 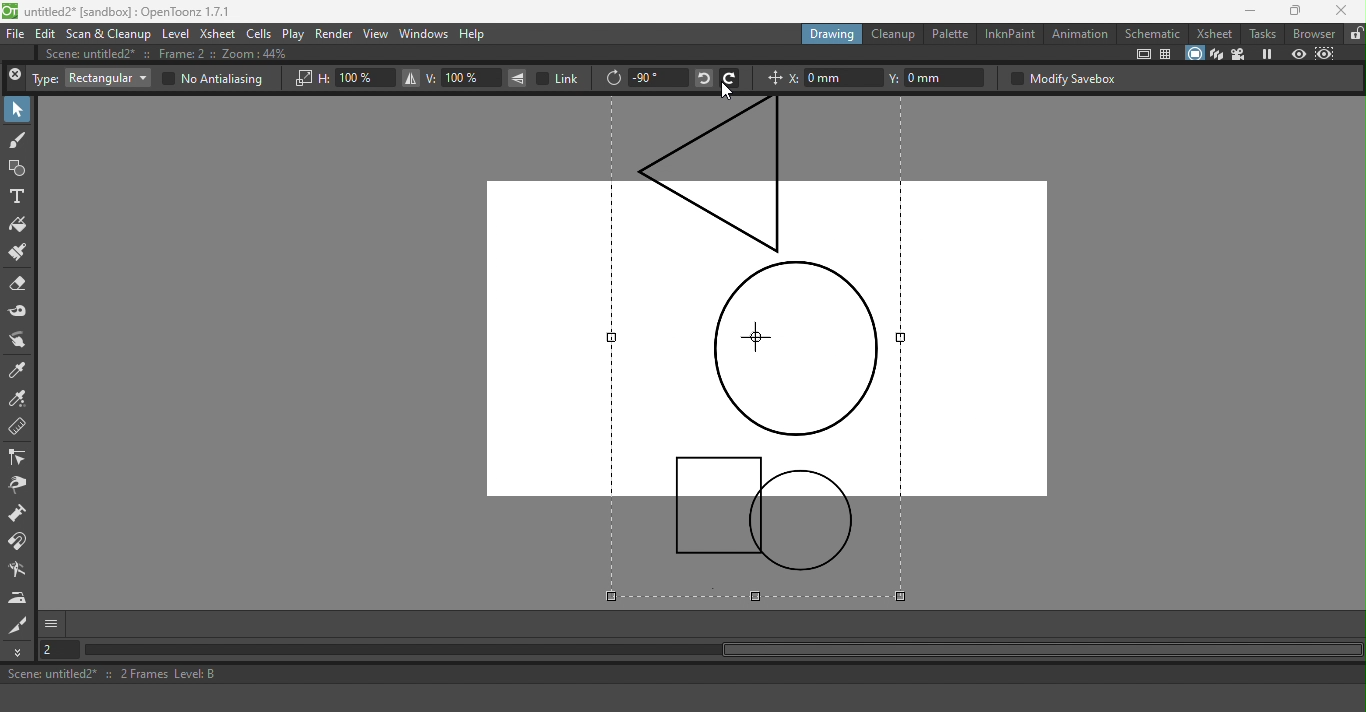 What do you see at coordinates (53, 624) in the screenshot?
I see `GUI show/hide` at bounding box center [53, 624].